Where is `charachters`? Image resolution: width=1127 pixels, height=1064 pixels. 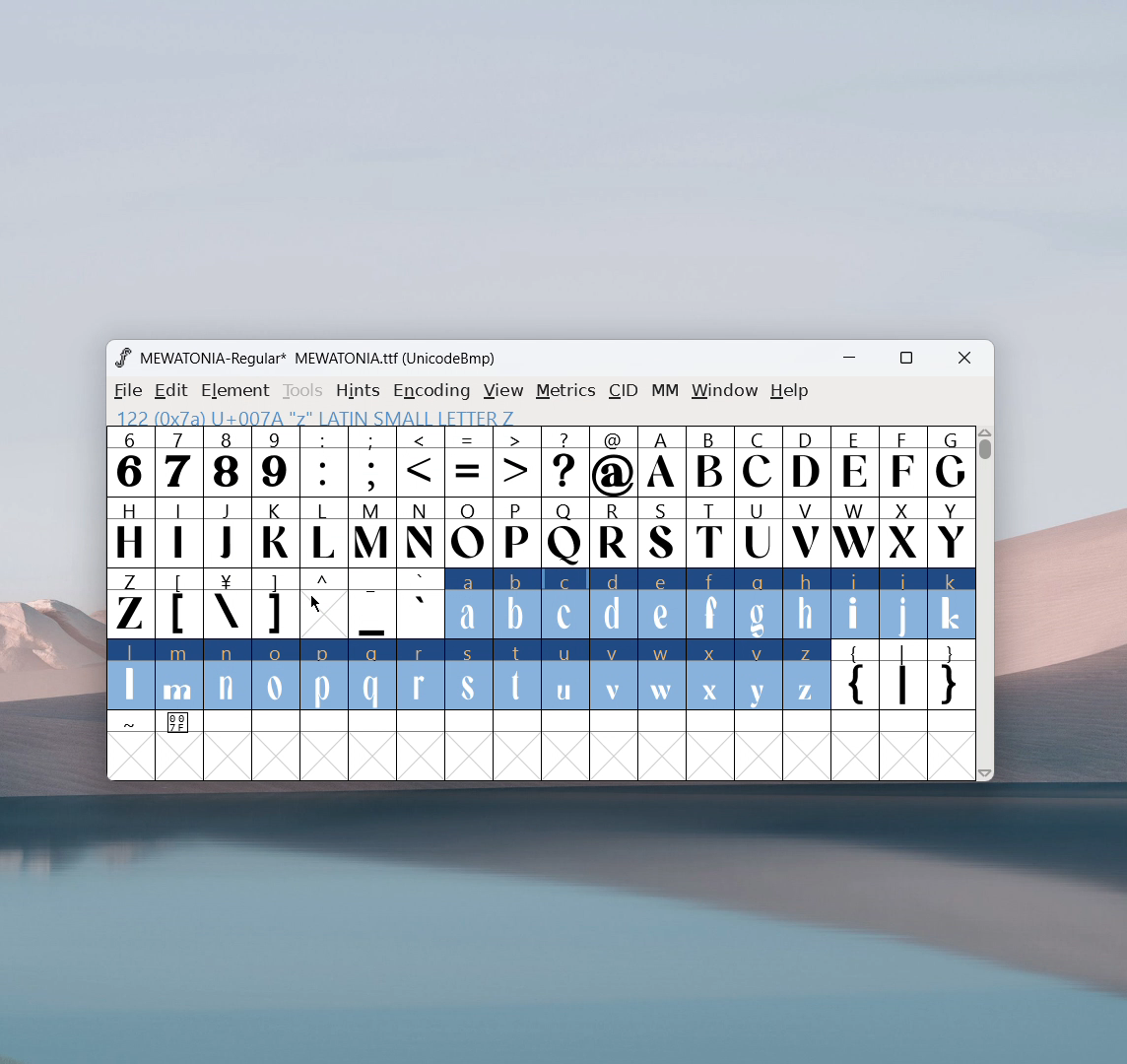
charachters is located at coordinates (324, 533).